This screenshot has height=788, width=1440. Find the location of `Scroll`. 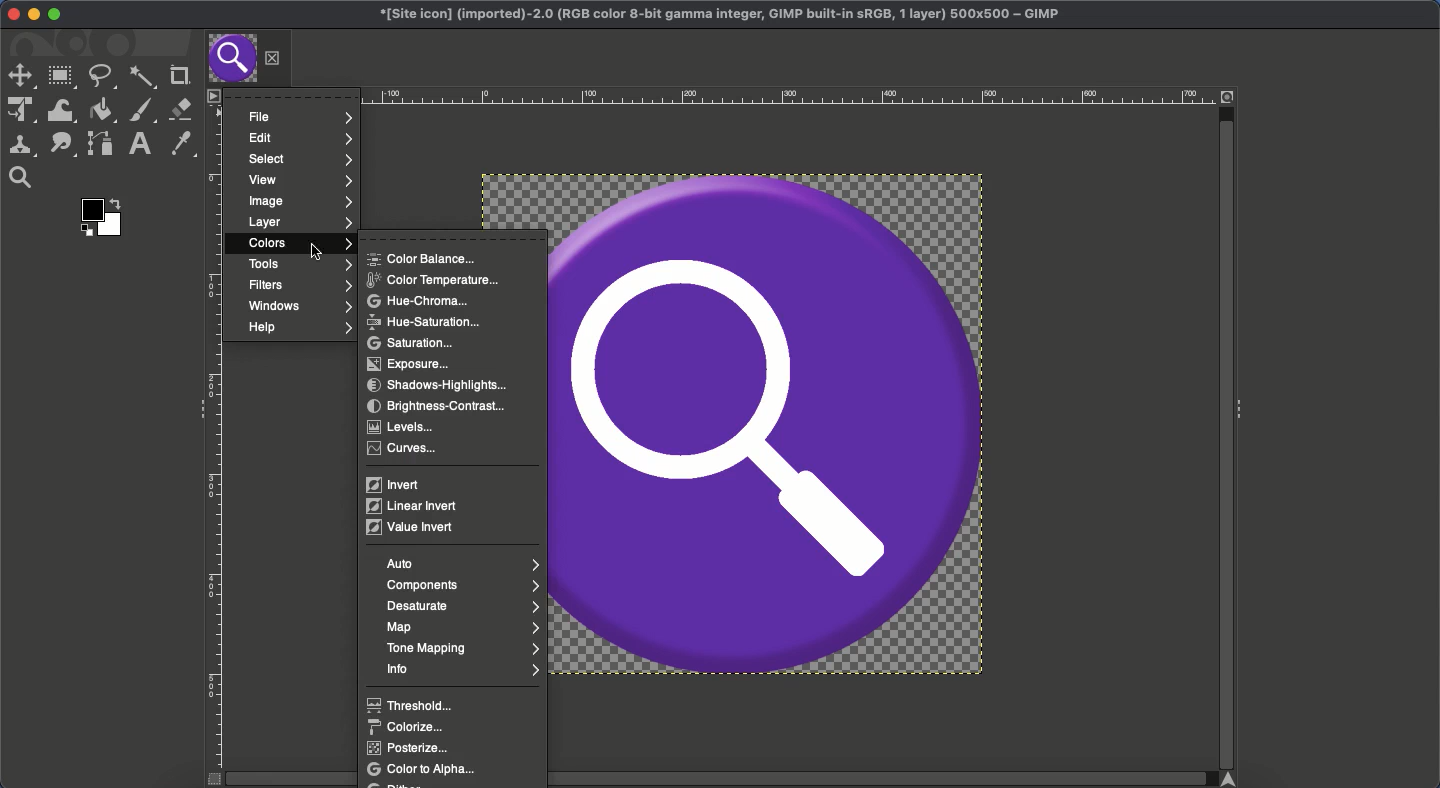

Scroll is located at coordinates (724, 782).